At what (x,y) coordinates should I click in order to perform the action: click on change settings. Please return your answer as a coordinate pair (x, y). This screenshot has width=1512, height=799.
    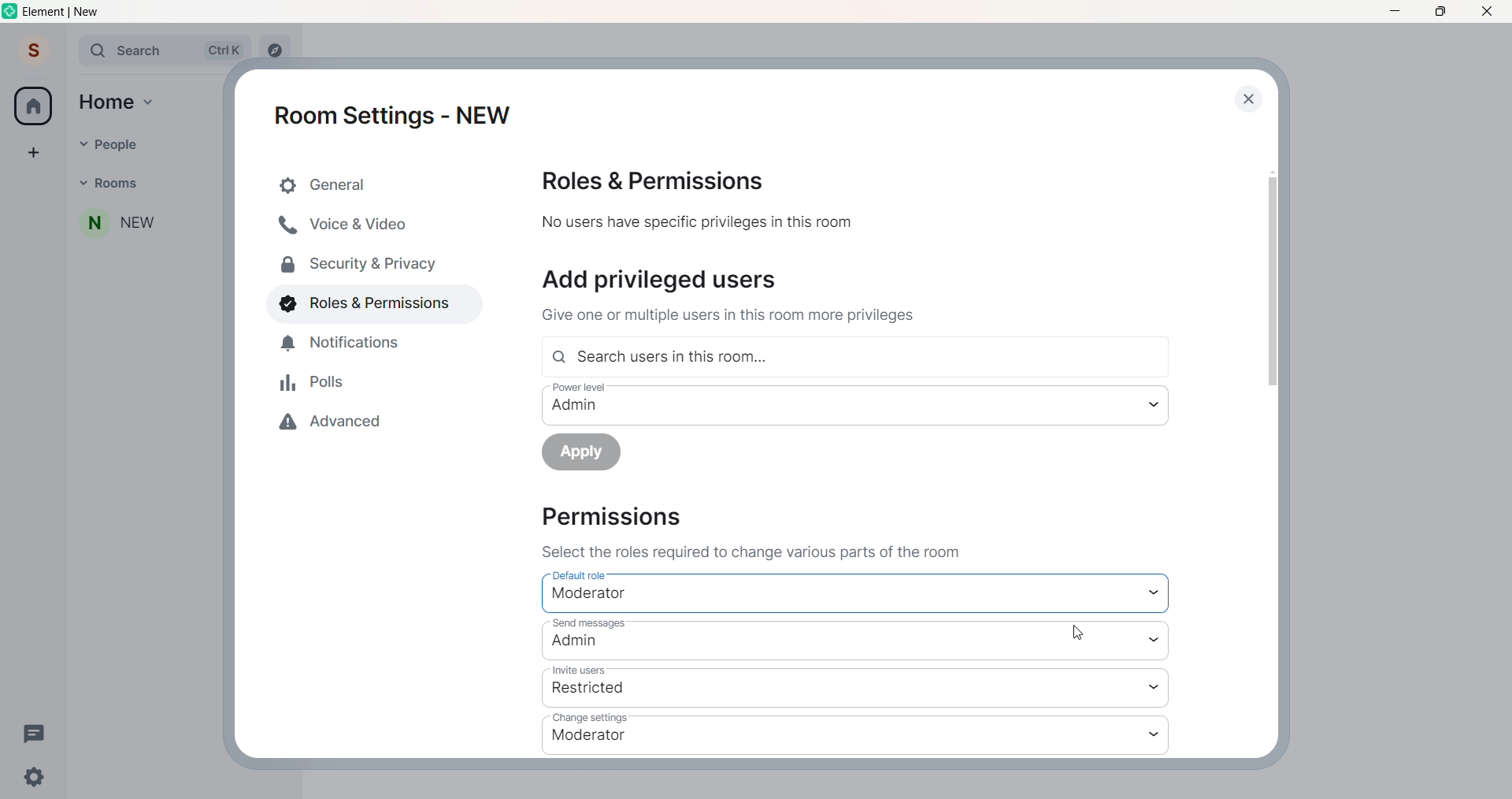
    Looking at the image, I should click on (836, 734).